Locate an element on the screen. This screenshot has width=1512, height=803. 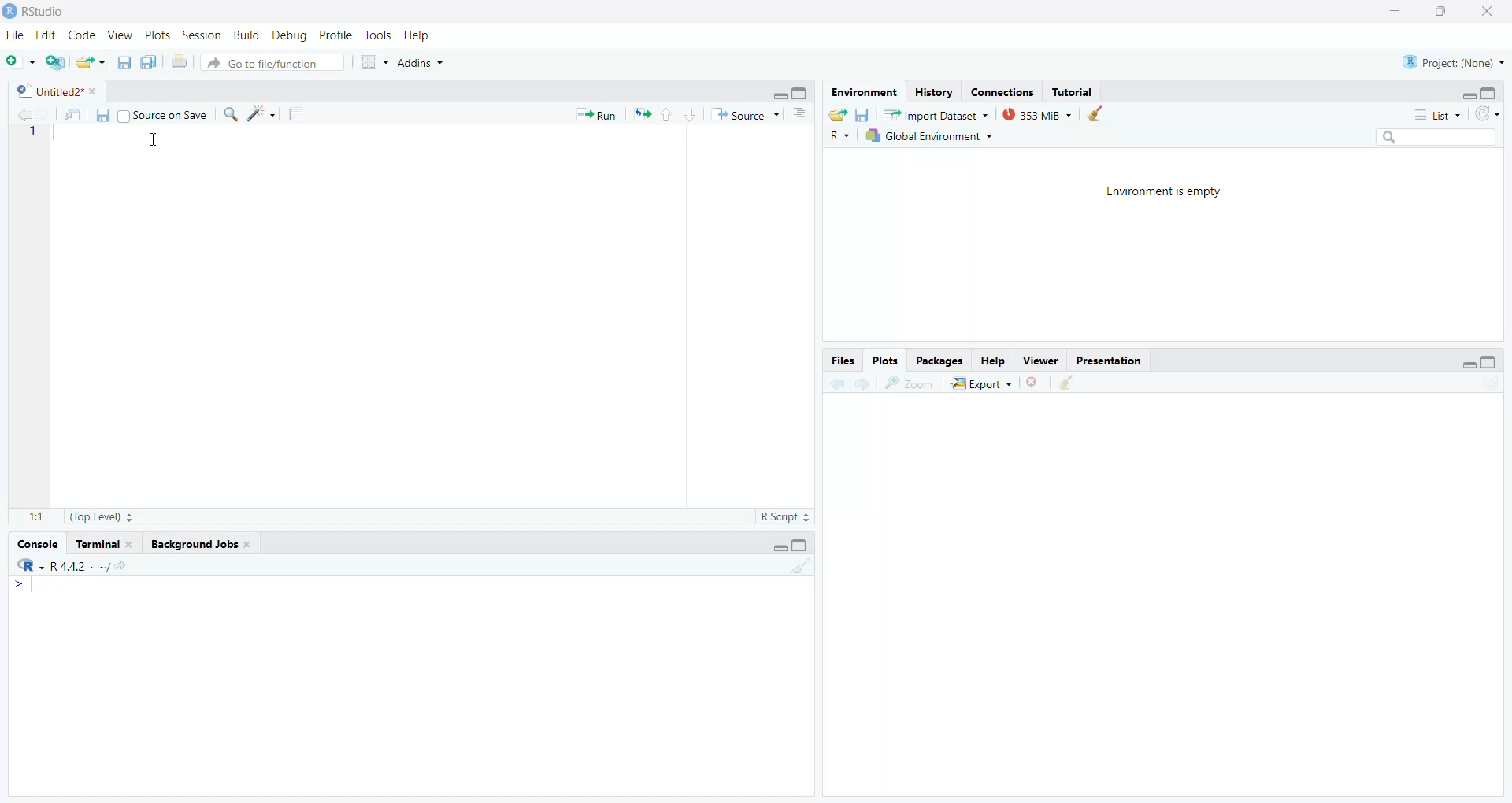
 Addins ~ is located at coordinates (421, 65).